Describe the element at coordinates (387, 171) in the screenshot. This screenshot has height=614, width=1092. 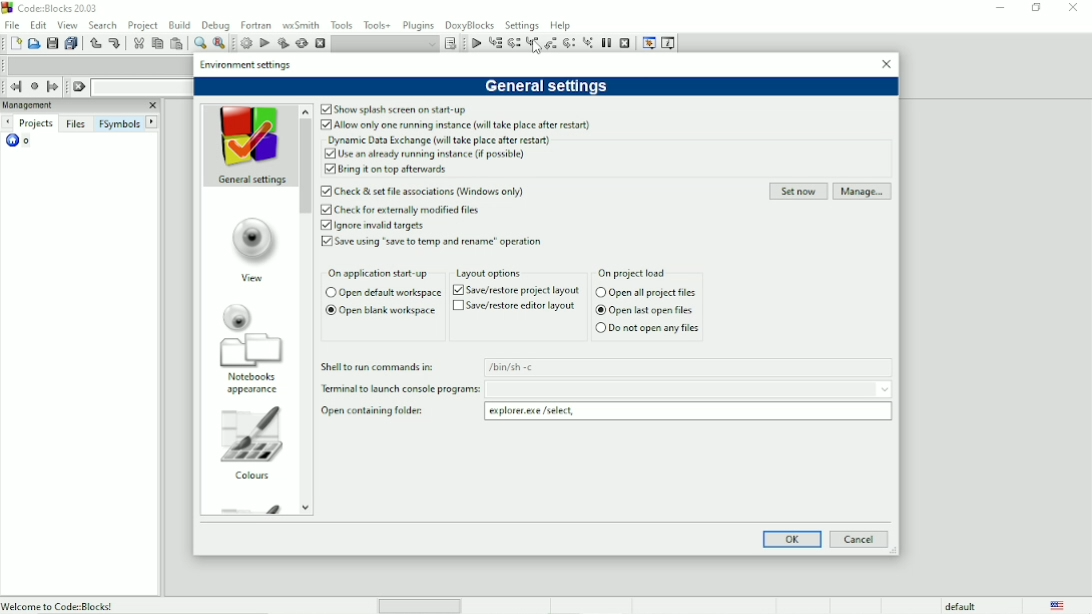
I see `Bring it on top afterwards` at that location.